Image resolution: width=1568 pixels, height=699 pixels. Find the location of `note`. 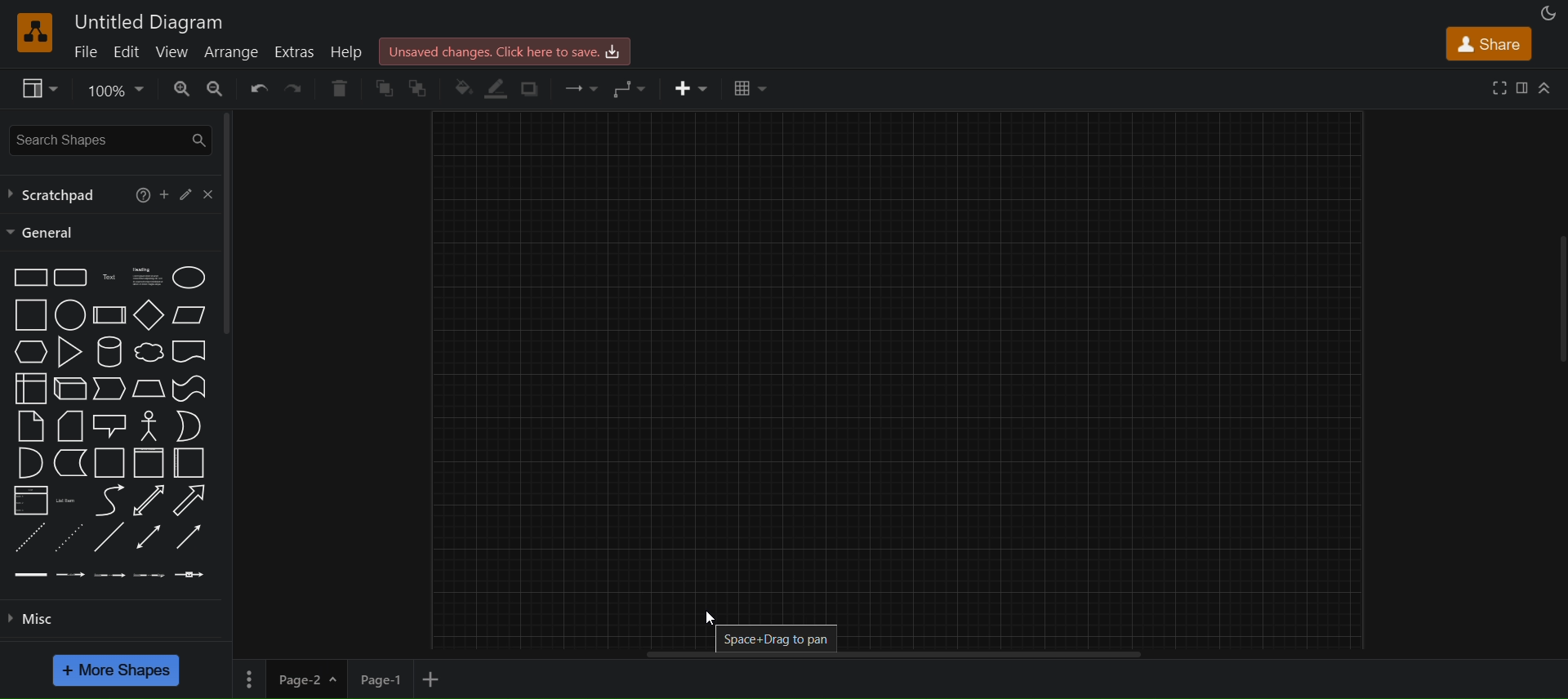

note is located at coordinates (29, 425).